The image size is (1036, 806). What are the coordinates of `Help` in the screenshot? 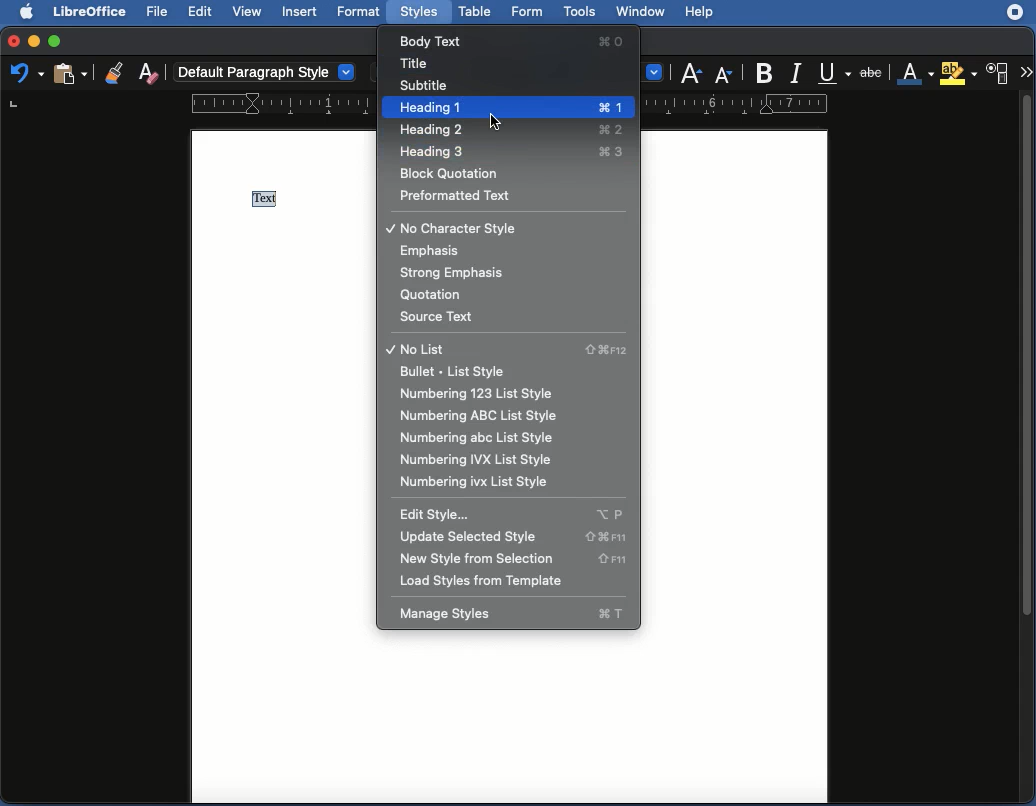 It's located at (701, 11).